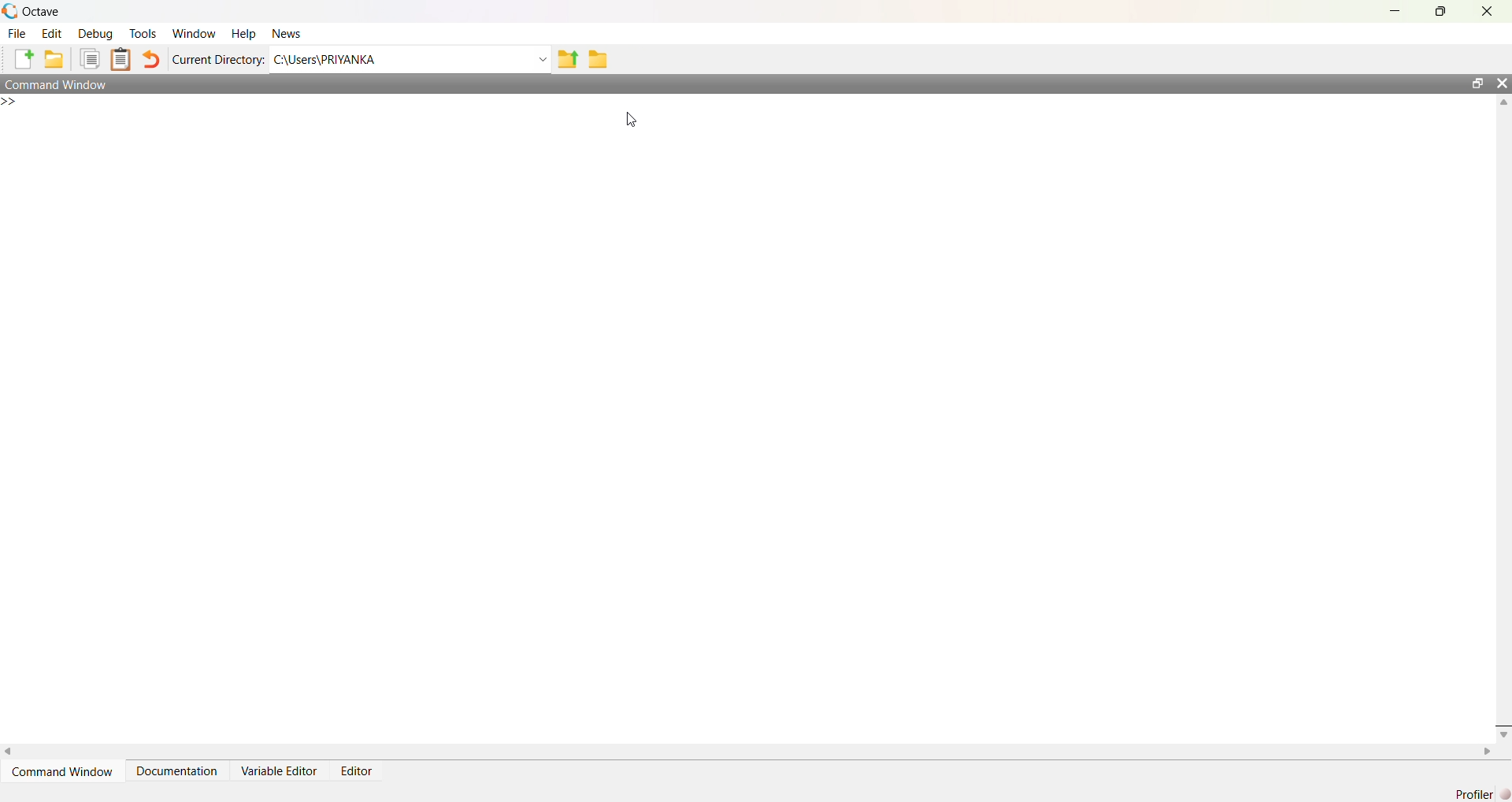 This screenshot has width=1512, height=802. What do you see at coordinates (151, 61) in the screenshot?
I see `revert` at bounding box center [151, 61].